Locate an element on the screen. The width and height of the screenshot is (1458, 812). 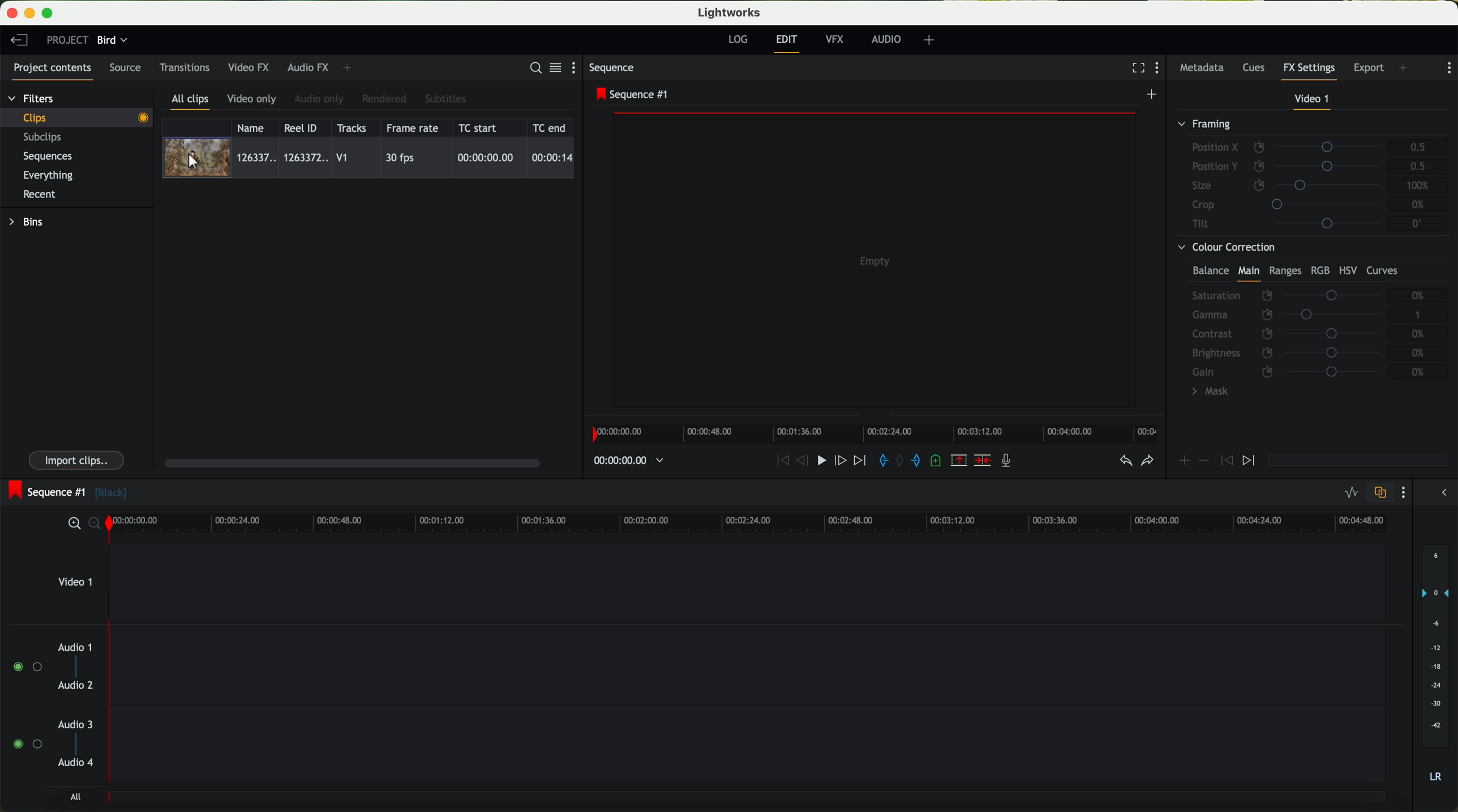
TC start is located at coordinates (479, 127).